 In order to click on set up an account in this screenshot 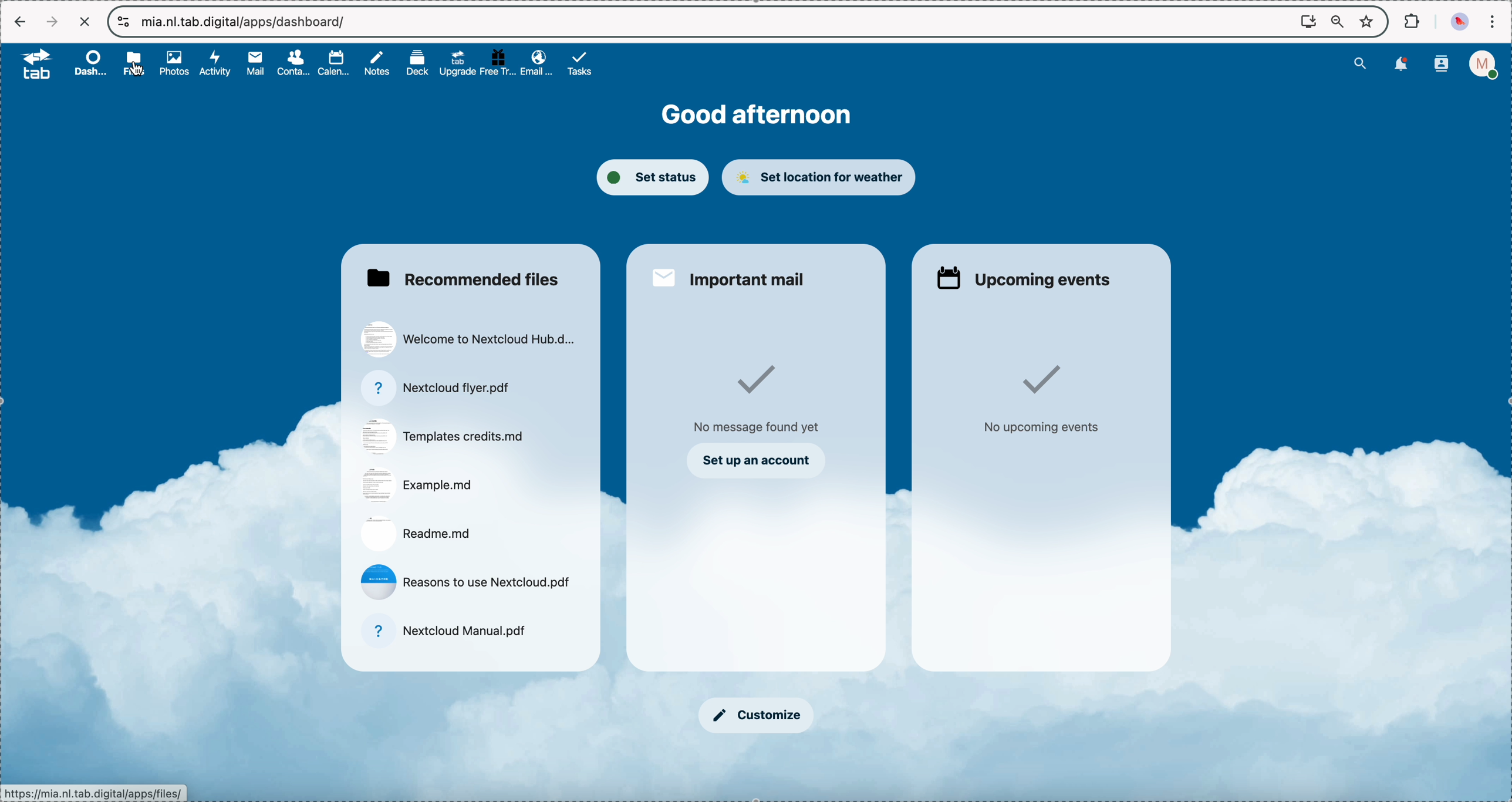, I will do `click(757, 461)`.